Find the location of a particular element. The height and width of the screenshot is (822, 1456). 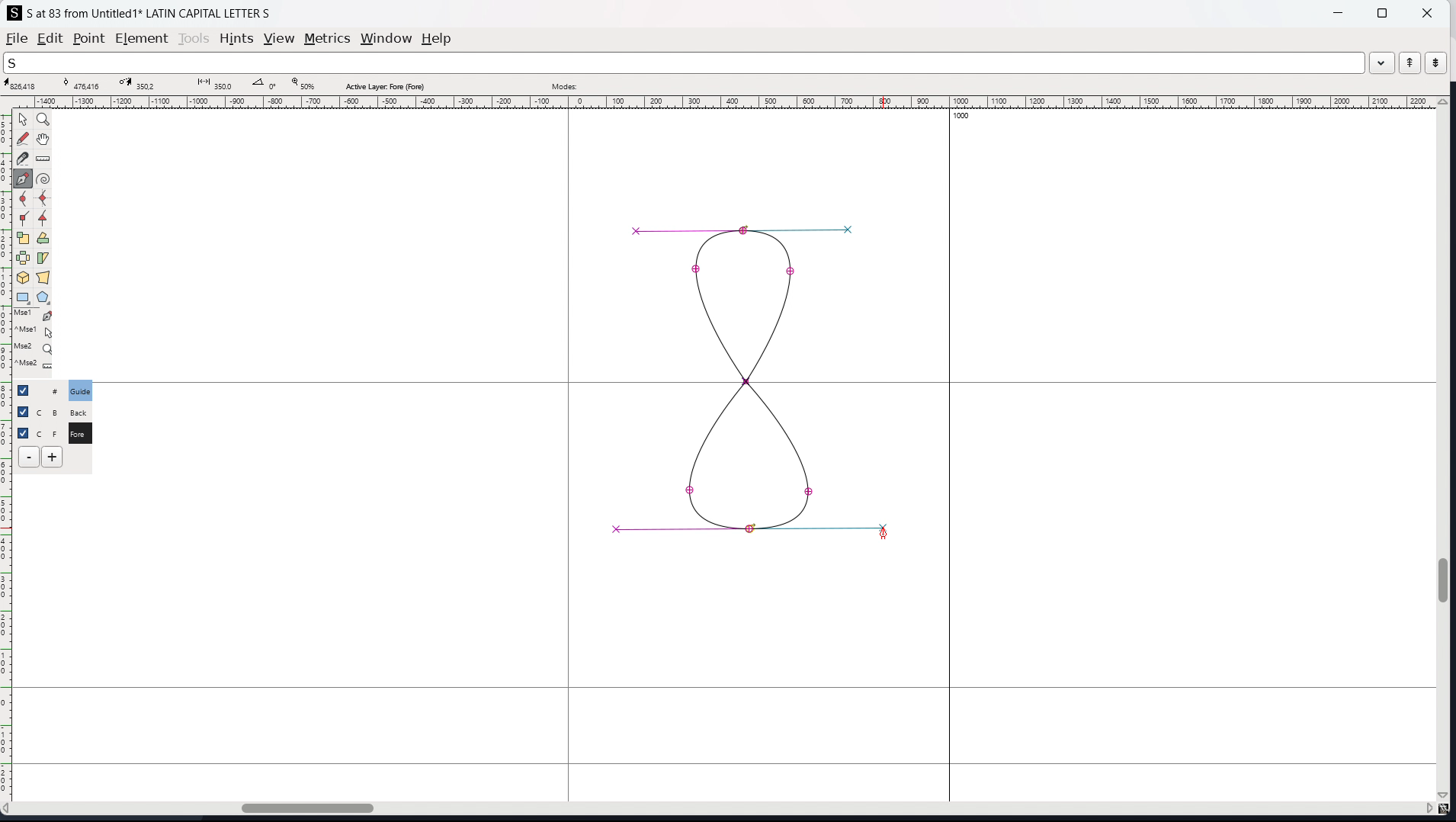

angle between points is located at coordinates (266, 83).